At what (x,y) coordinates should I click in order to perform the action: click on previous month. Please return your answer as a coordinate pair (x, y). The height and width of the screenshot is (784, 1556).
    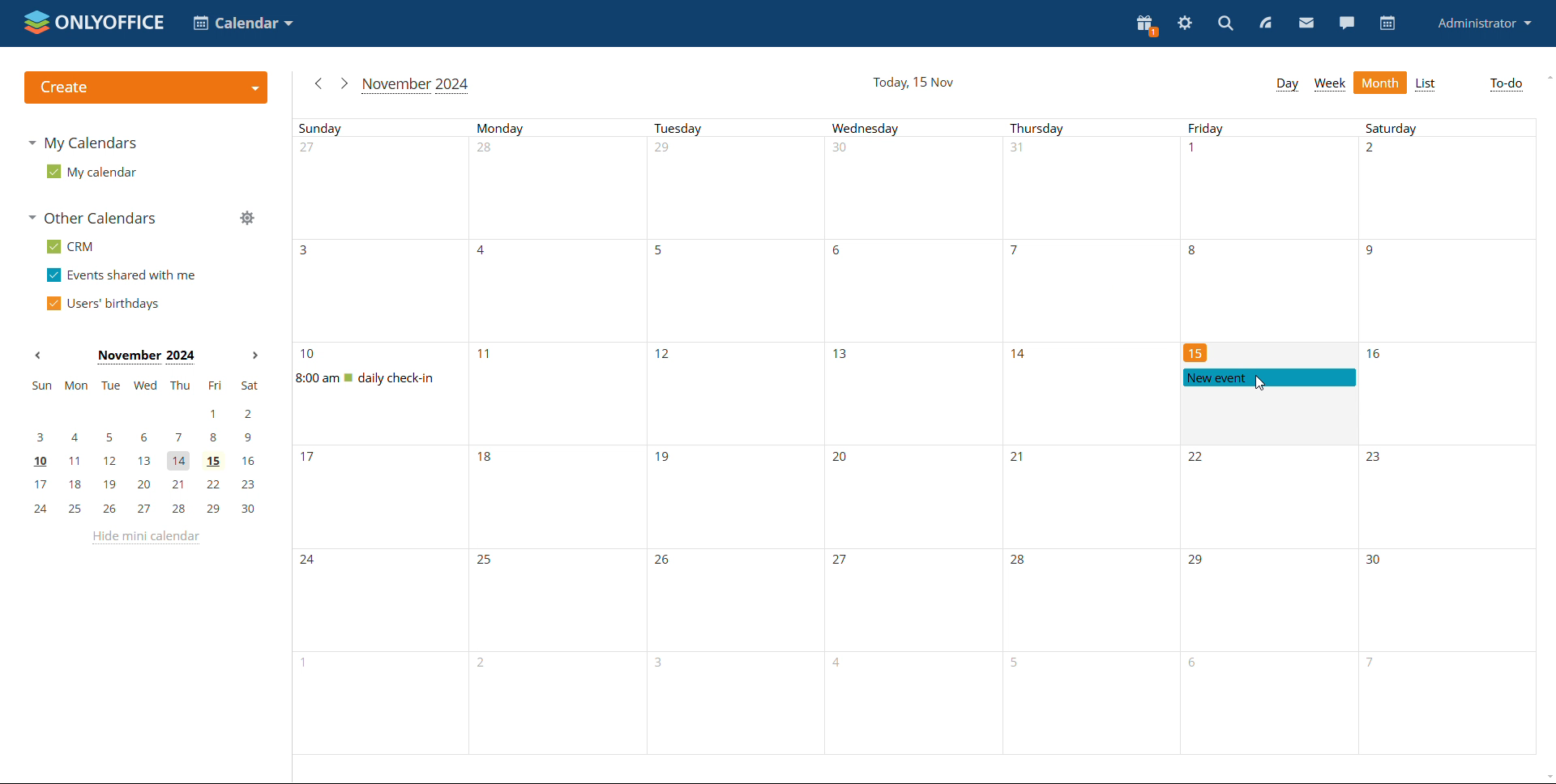
    Looking at the image, I should click on (319, 82).